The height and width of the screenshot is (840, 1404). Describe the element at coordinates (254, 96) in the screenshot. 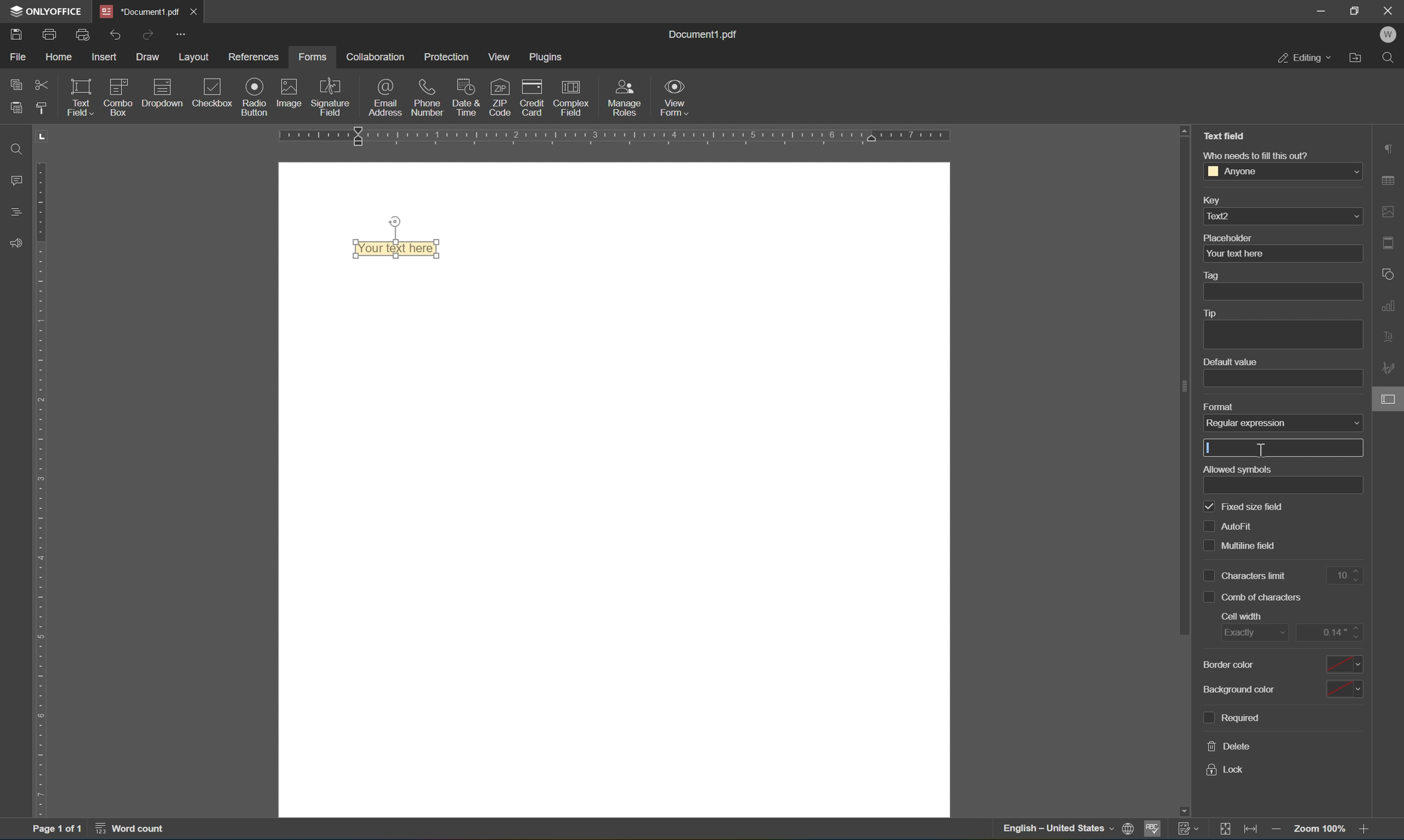

I see `radio button` at that location.